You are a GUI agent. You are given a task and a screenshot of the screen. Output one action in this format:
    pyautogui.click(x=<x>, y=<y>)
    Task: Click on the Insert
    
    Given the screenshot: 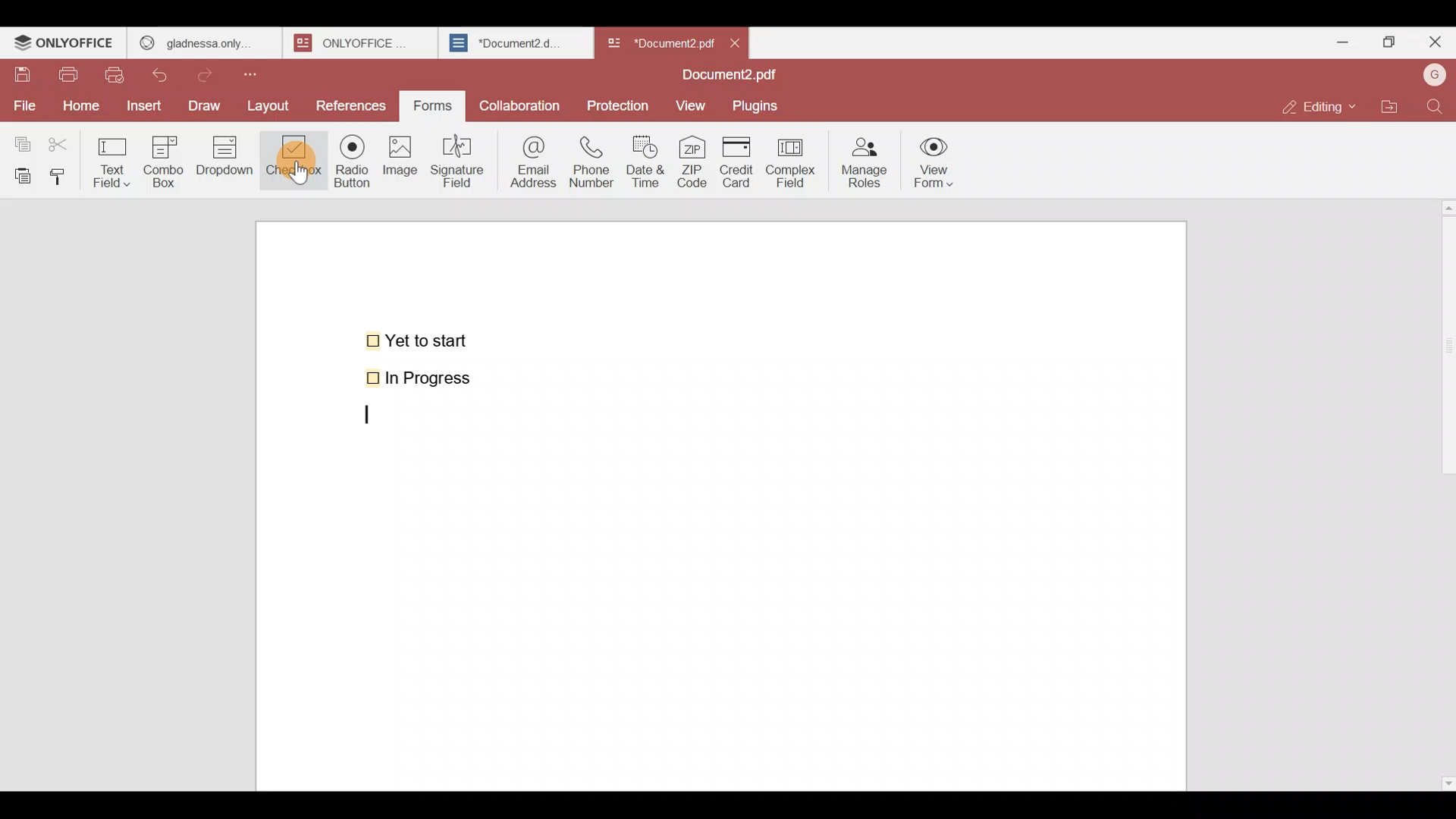 What is the action you would take?
    pyautogui.click(x=142, y=105)
    